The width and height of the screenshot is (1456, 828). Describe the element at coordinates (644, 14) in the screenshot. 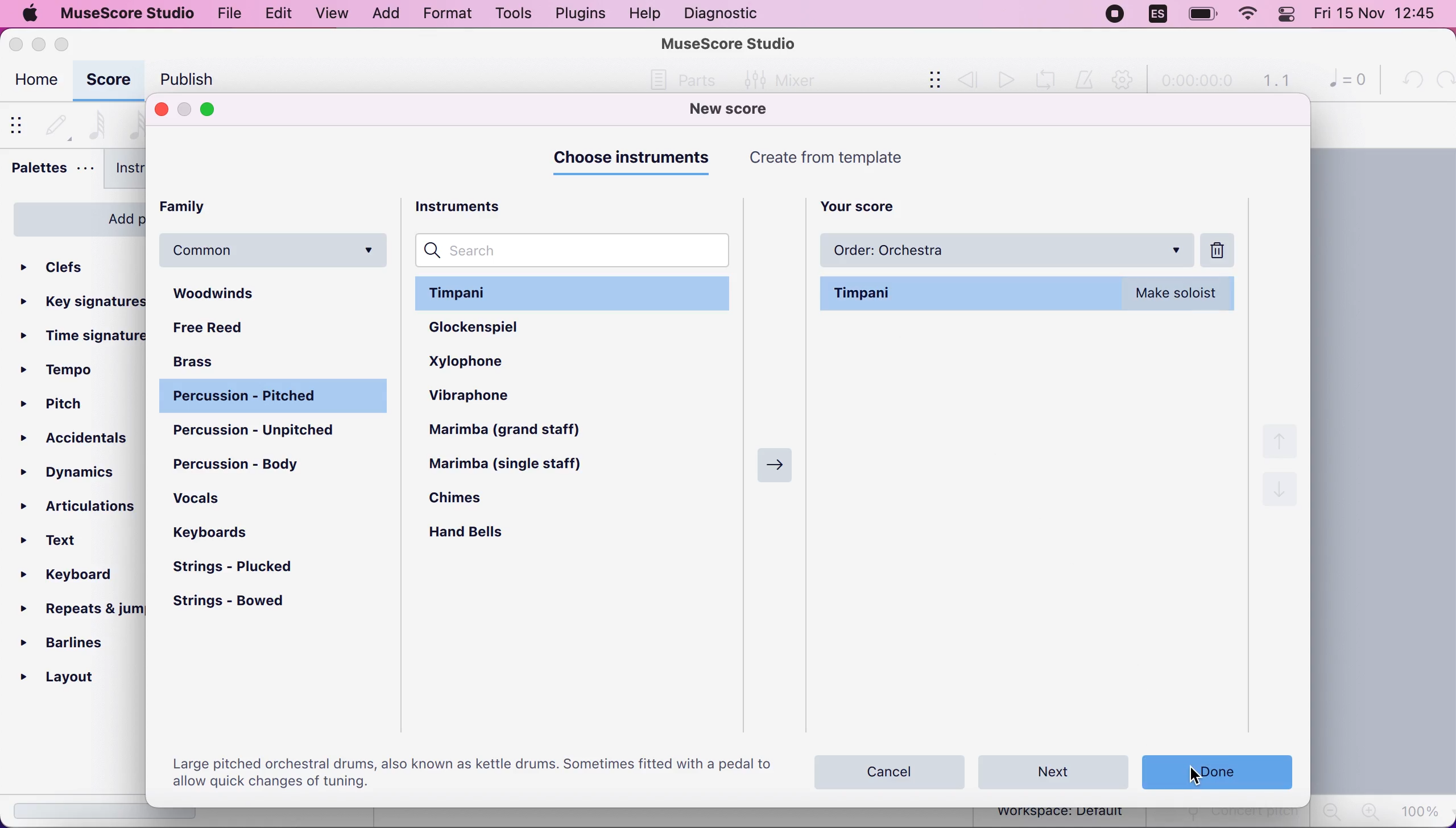

I see `help` at that location.